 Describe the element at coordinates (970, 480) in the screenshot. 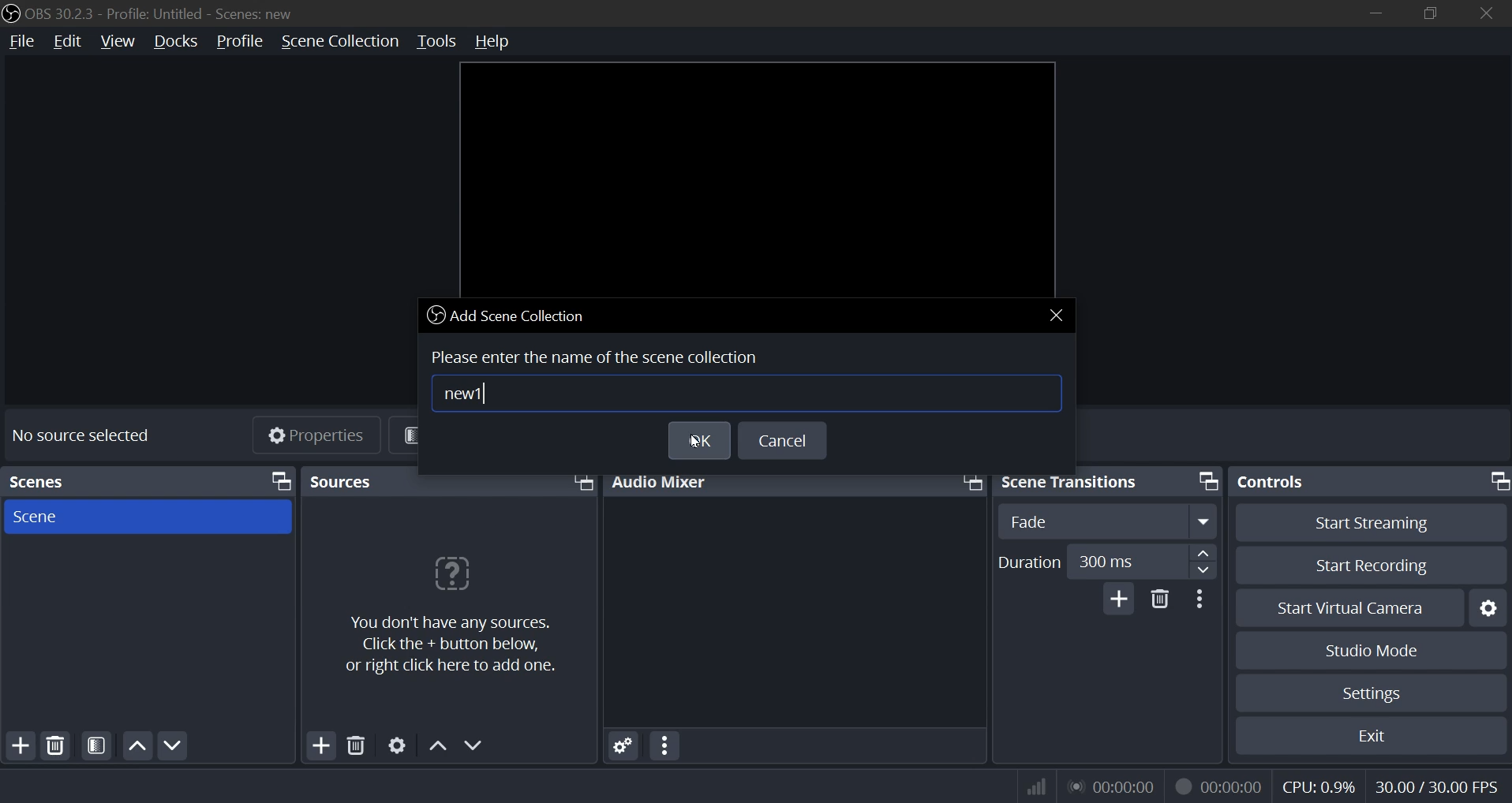

I see `bring front` at that location.